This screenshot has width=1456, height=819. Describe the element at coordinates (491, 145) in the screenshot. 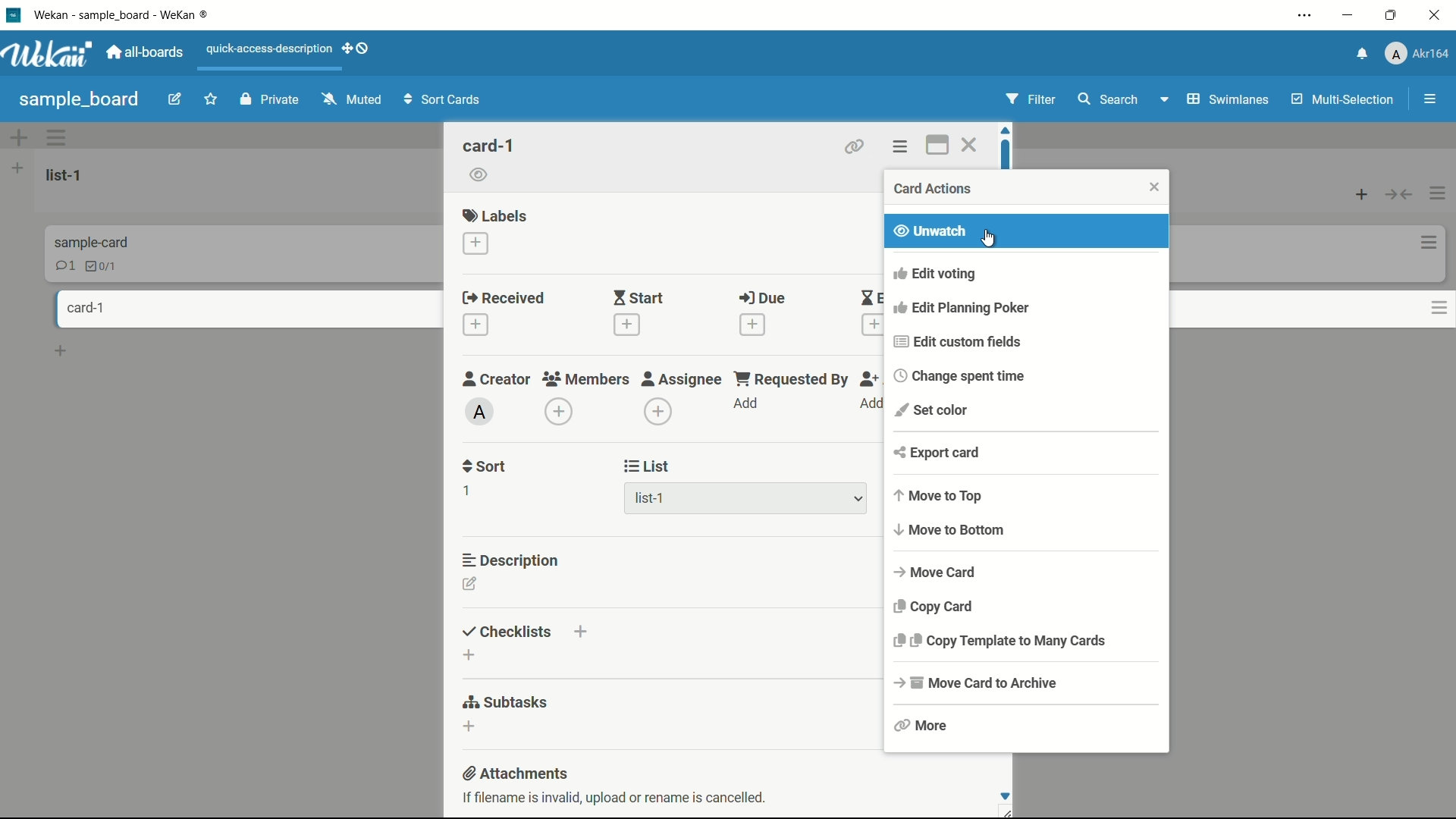

I see `card name` at that location.